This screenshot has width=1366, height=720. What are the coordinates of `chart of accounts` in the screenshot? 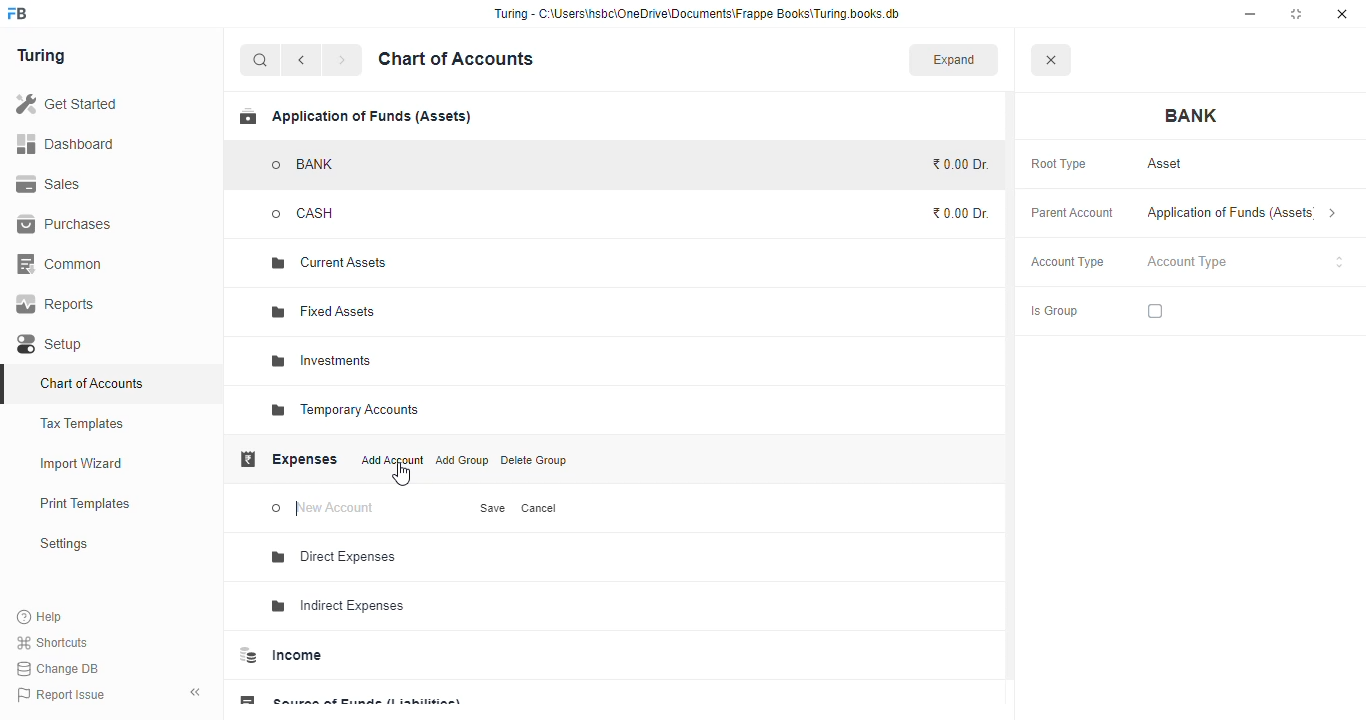 It's located at (92, 383).